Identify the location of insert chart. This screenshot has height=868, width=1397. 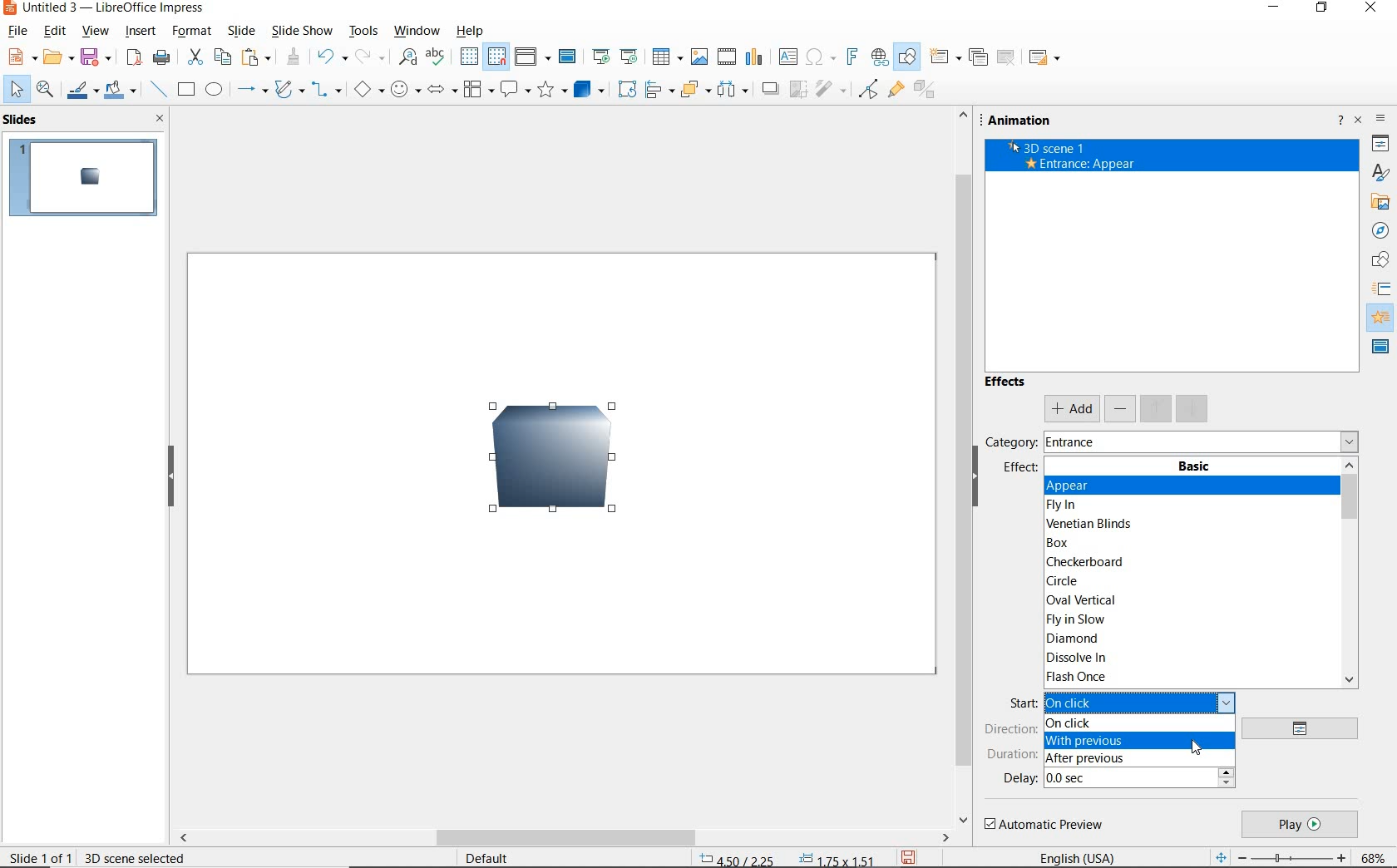
(755, 58).